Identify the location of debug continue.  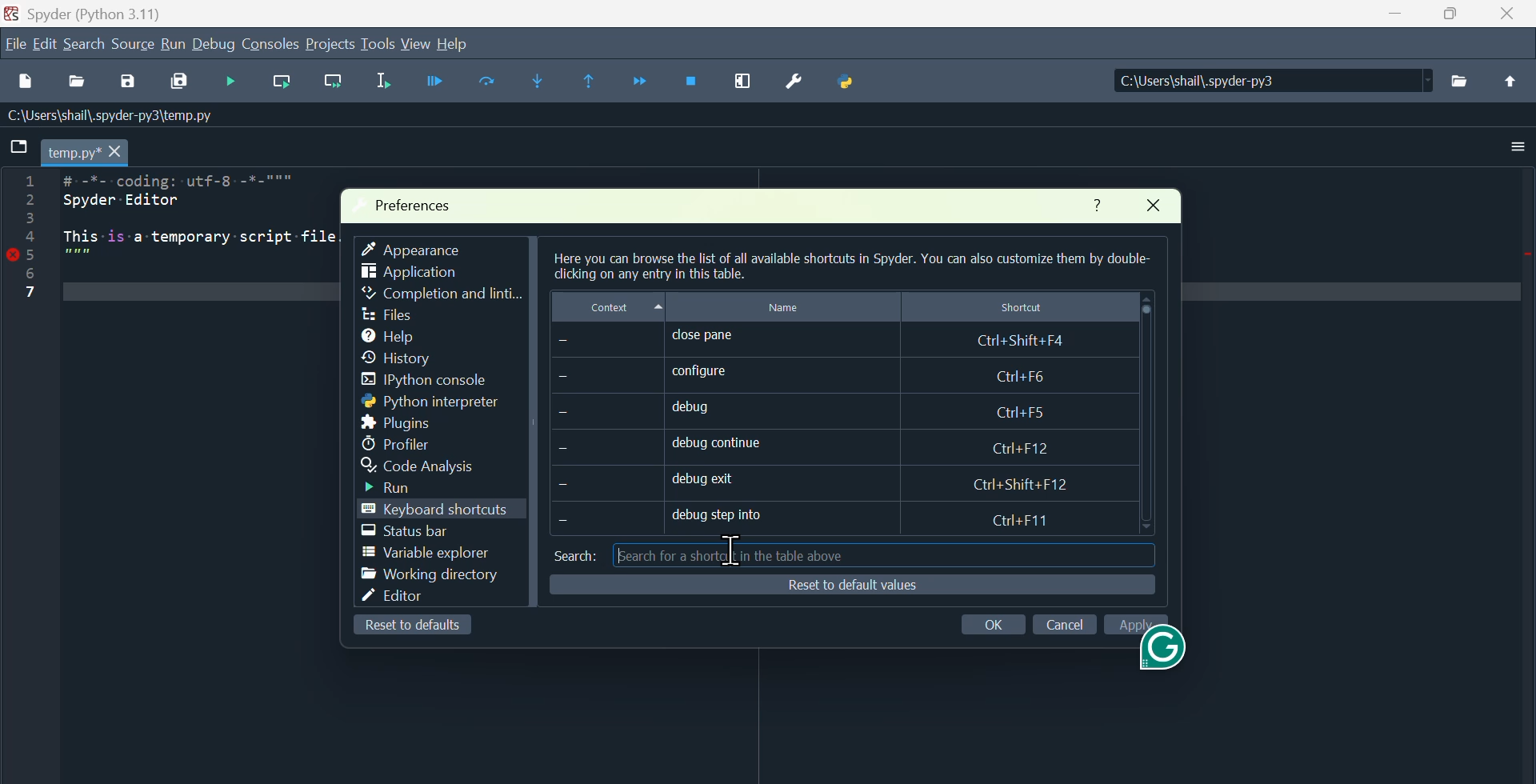
(804, 440).